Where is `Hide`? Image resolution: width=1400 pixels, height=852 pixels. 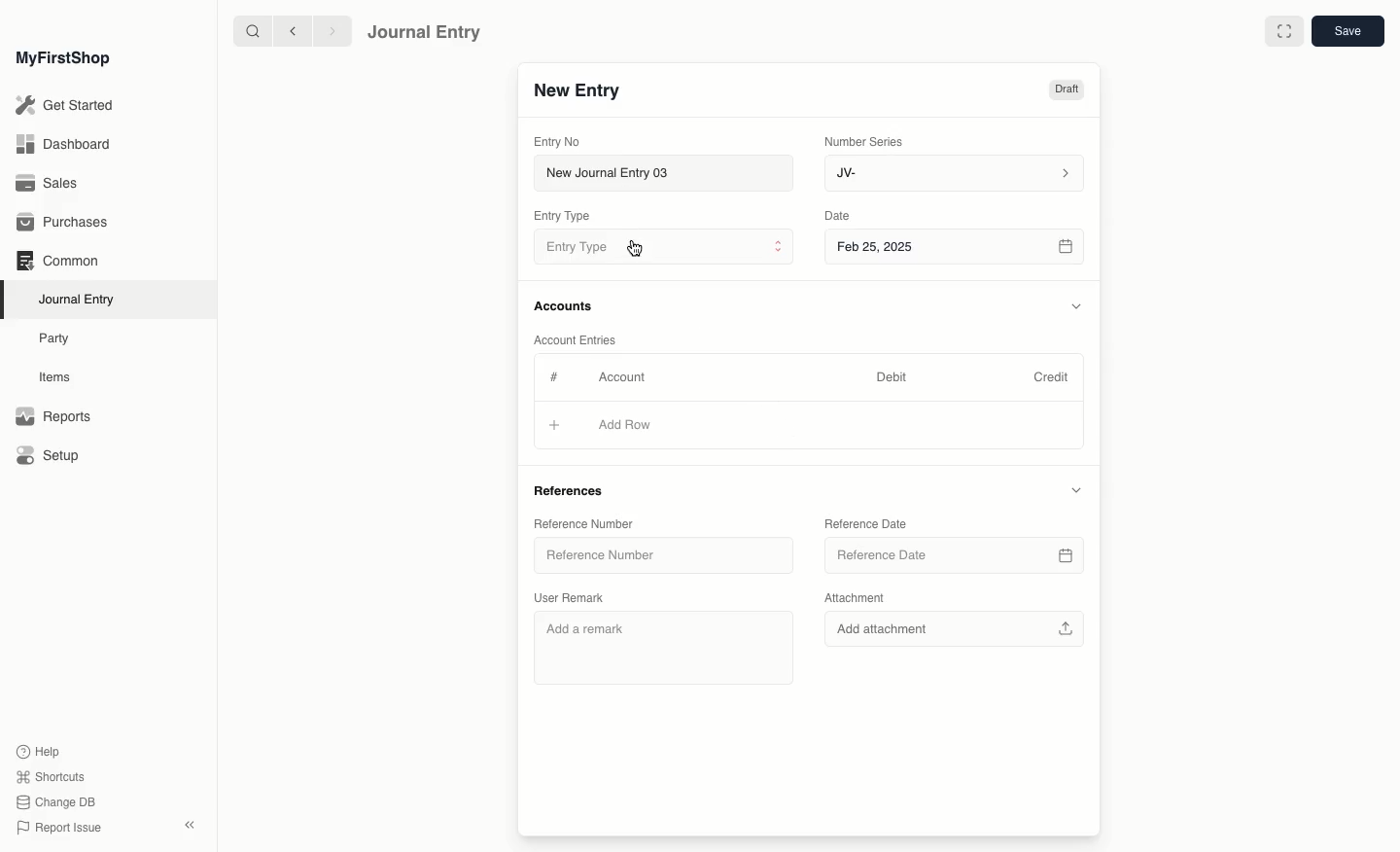
Hide is located at coordinates (1074, 491).